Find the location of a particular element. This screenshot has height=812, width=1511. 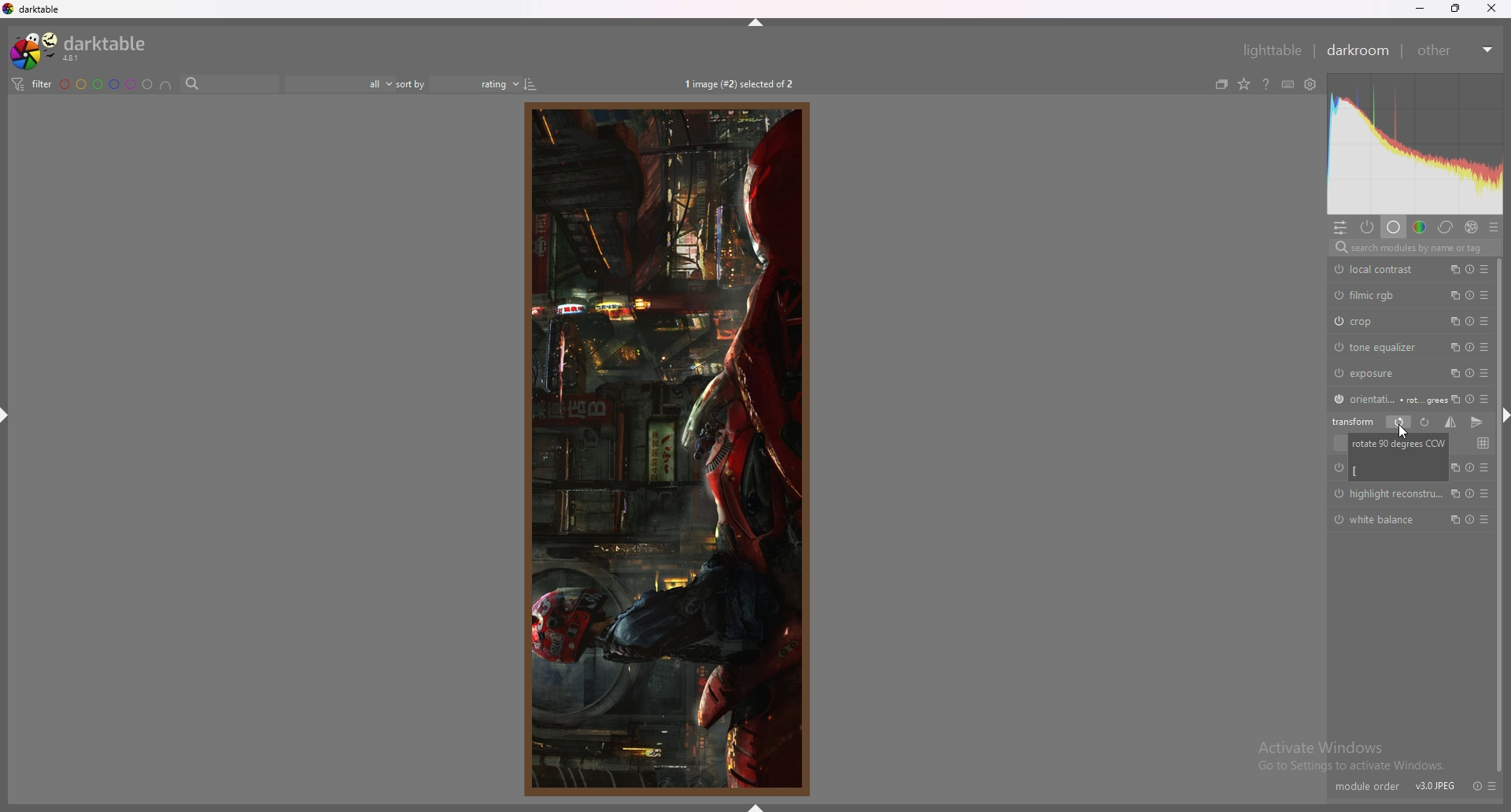

lighttable is located at coordinates (1268, 49).